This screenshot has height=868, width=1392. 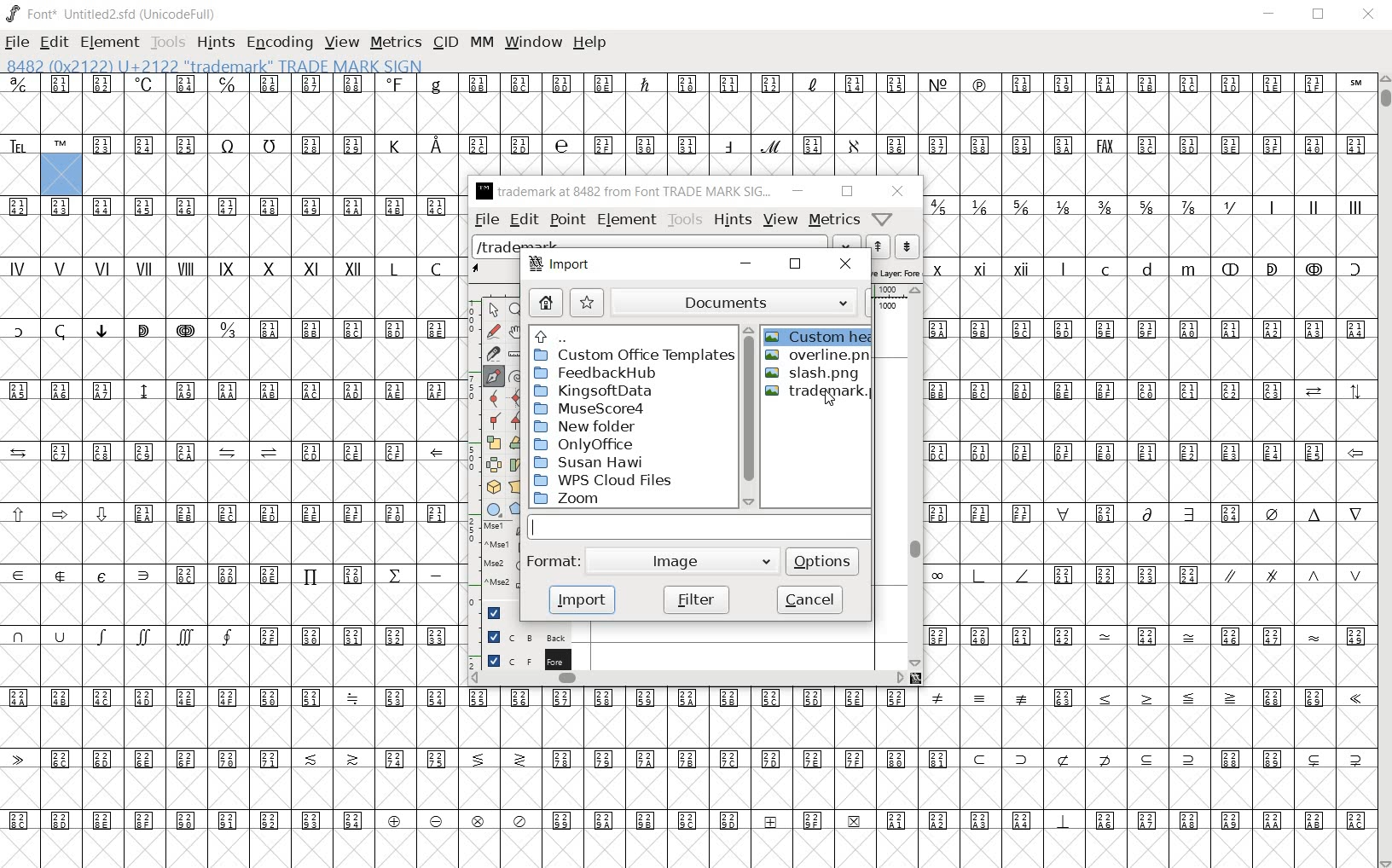 What do you see at coordinates (626, 220) in the screenshot?
I see `element` at bounding box center [626, 220].